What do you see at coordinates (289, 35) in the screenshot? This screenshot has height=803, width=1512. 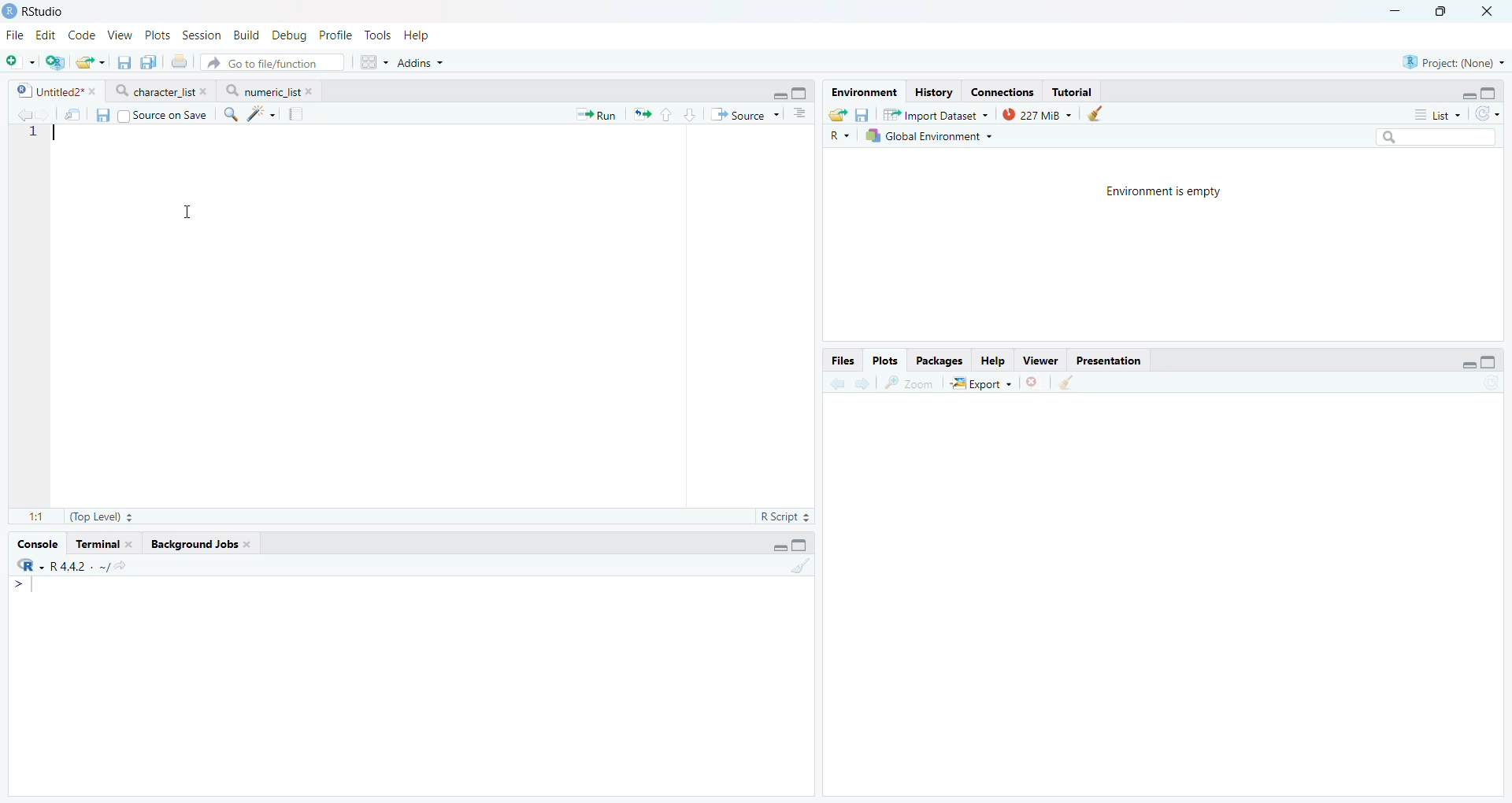 I see `Debug` at bounding box center [289, 35].